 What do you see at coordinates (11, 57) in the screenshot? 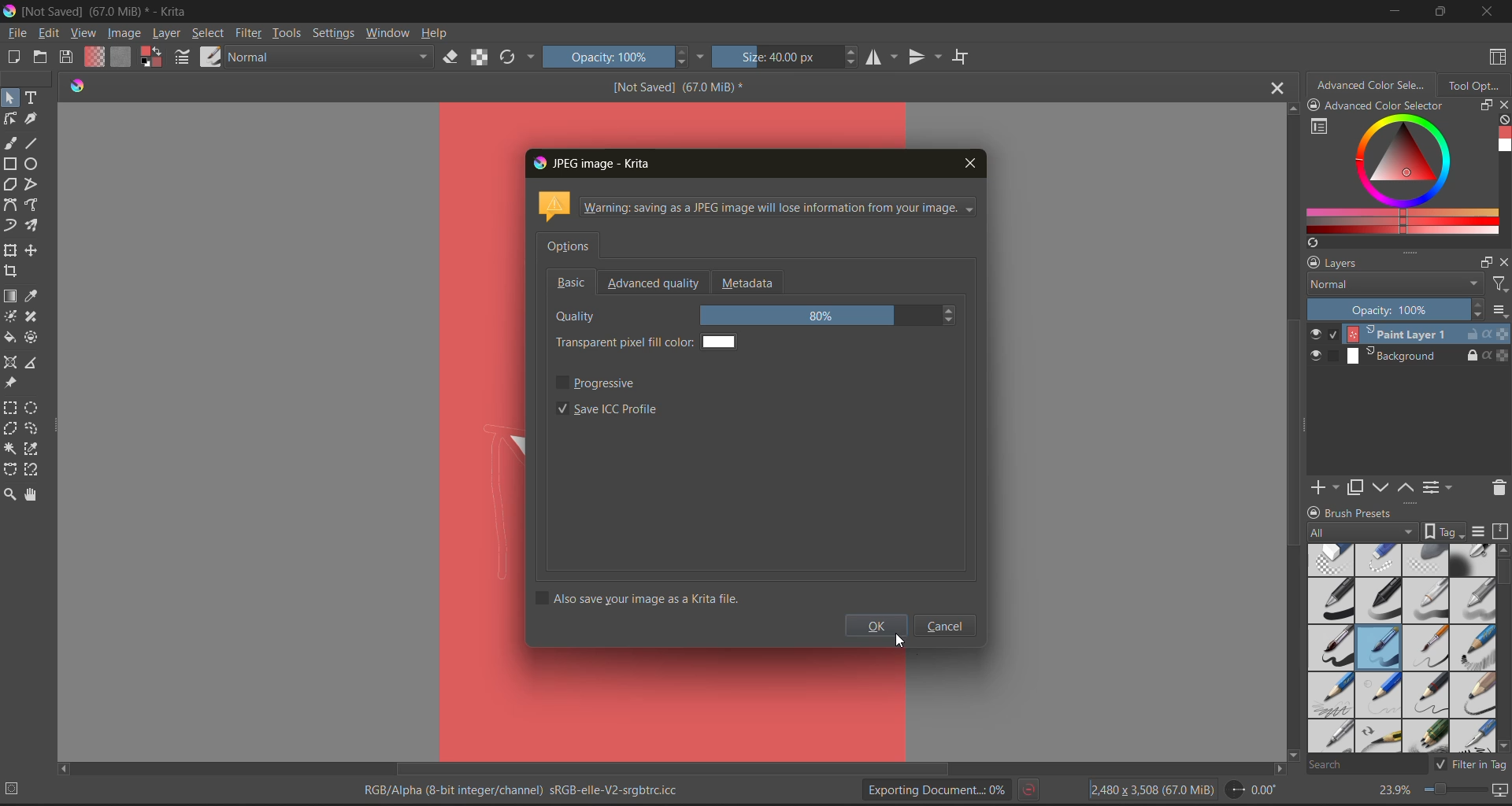
I see `create` at bounding box center [11, 57].